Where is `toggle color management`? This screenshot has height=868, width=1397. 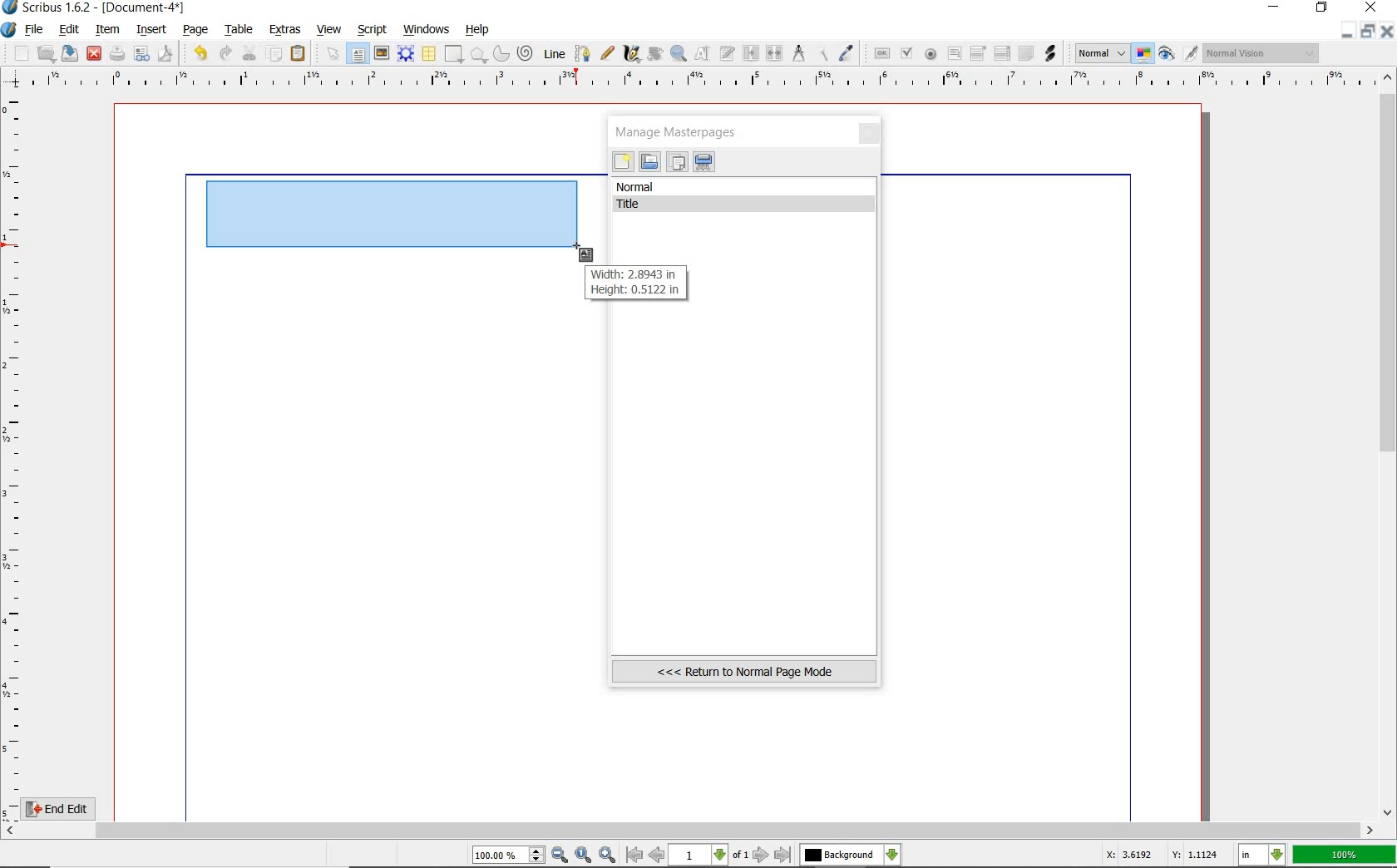 toggle color management is located at coordinates (1144, 55).